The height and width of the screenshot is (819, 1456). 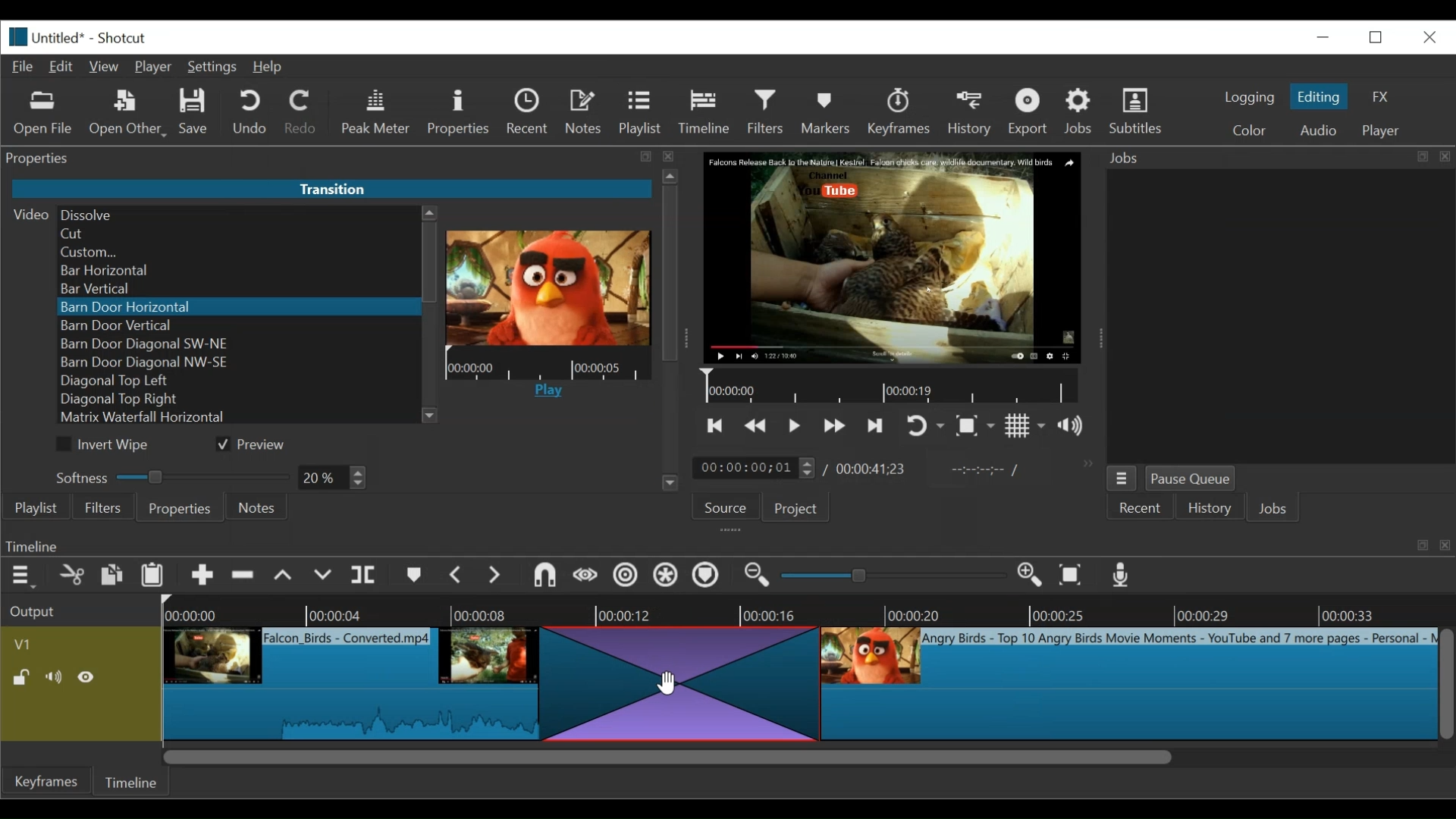 What do you see at coordinates (63, 36) in the screenshot?
I see `File Name` at bounding box center [63, 36].